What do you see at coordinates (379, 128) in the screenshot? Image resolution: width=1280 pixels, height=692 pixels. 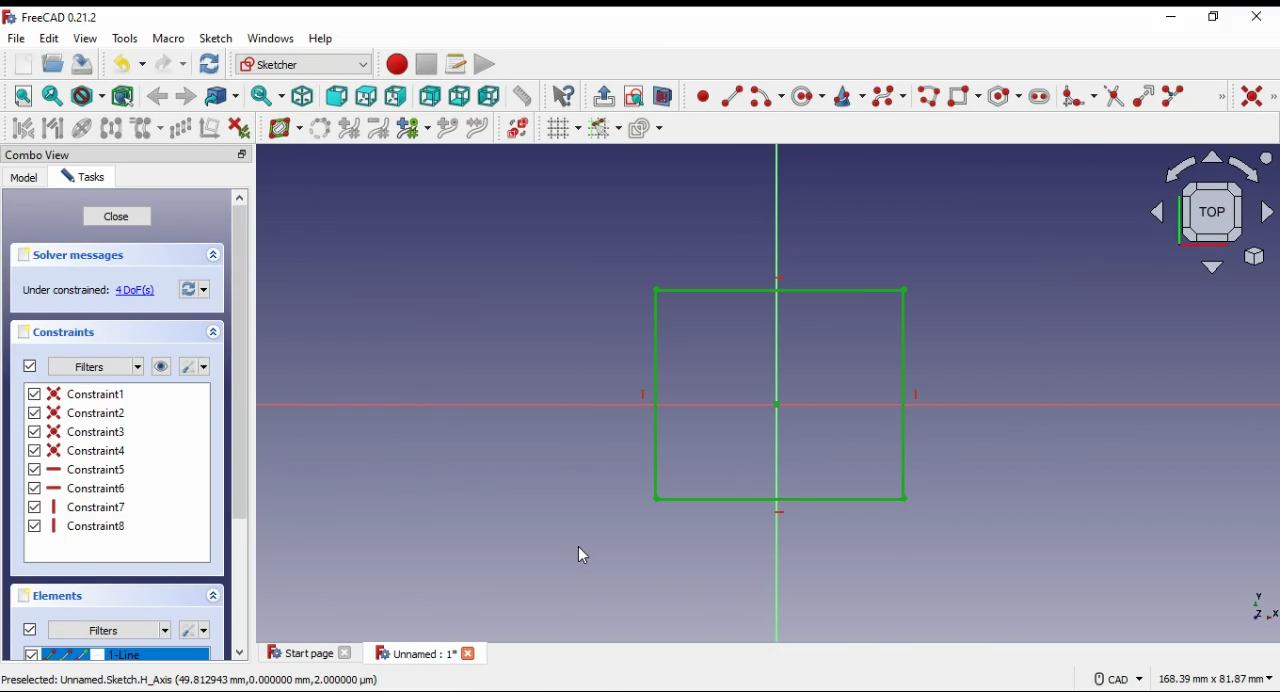 I see `decrease bspline degree` at bounding box center [379, 128].